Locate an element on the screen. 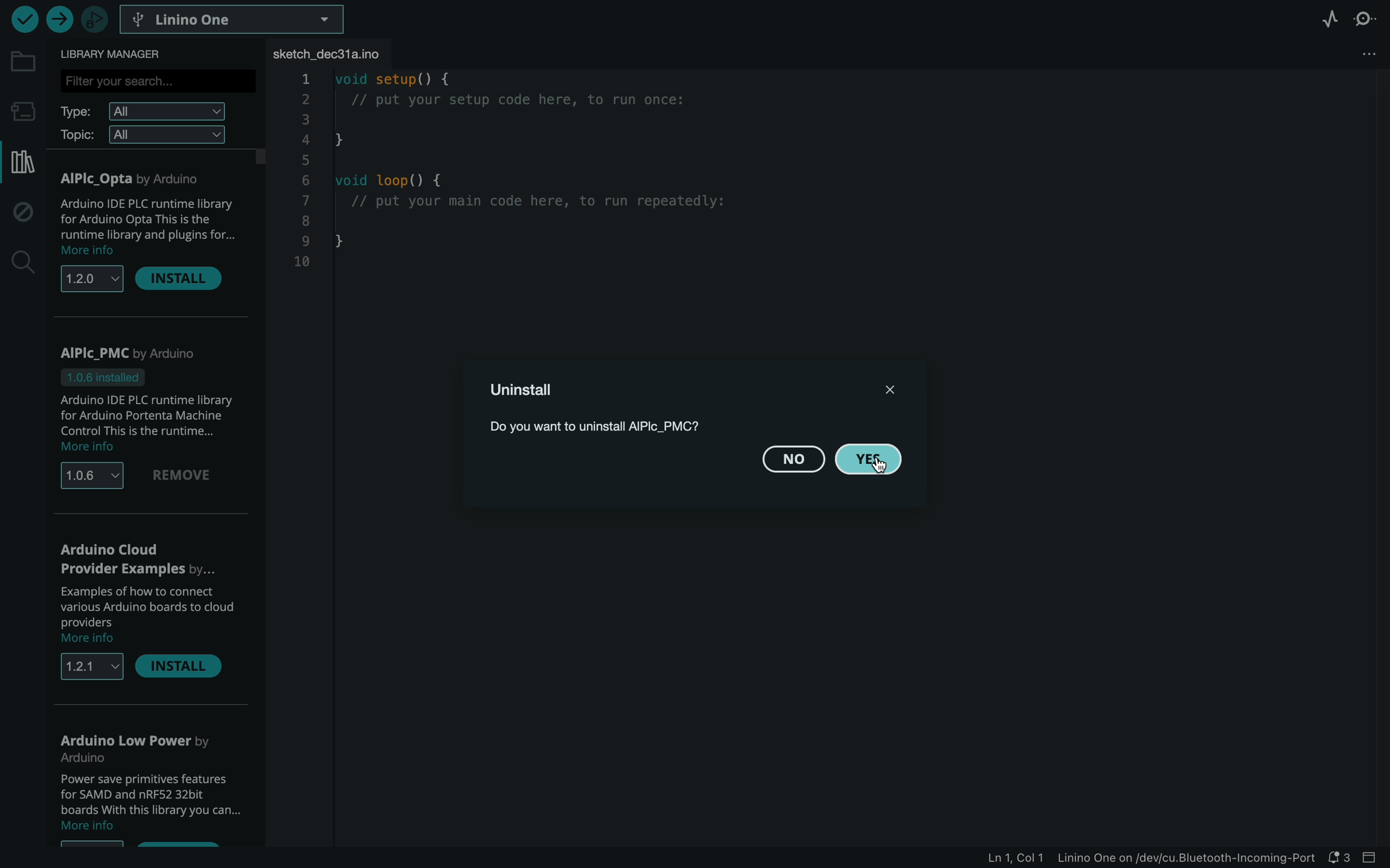  serial plotter is located at coordinates (1330, 21).